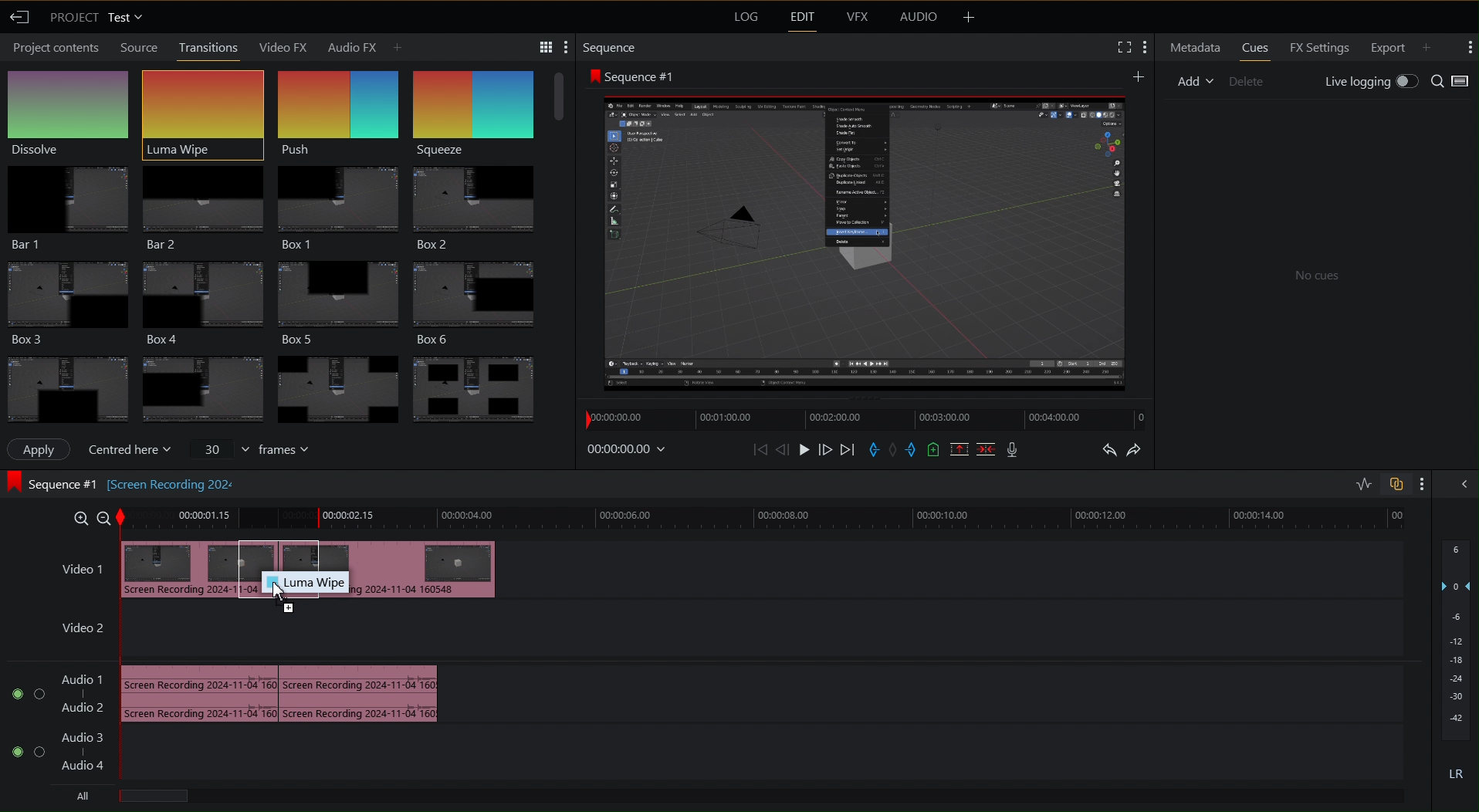  Describe the element at coordinates (1433, 46) in the screenshot. I see `Add` at that location.